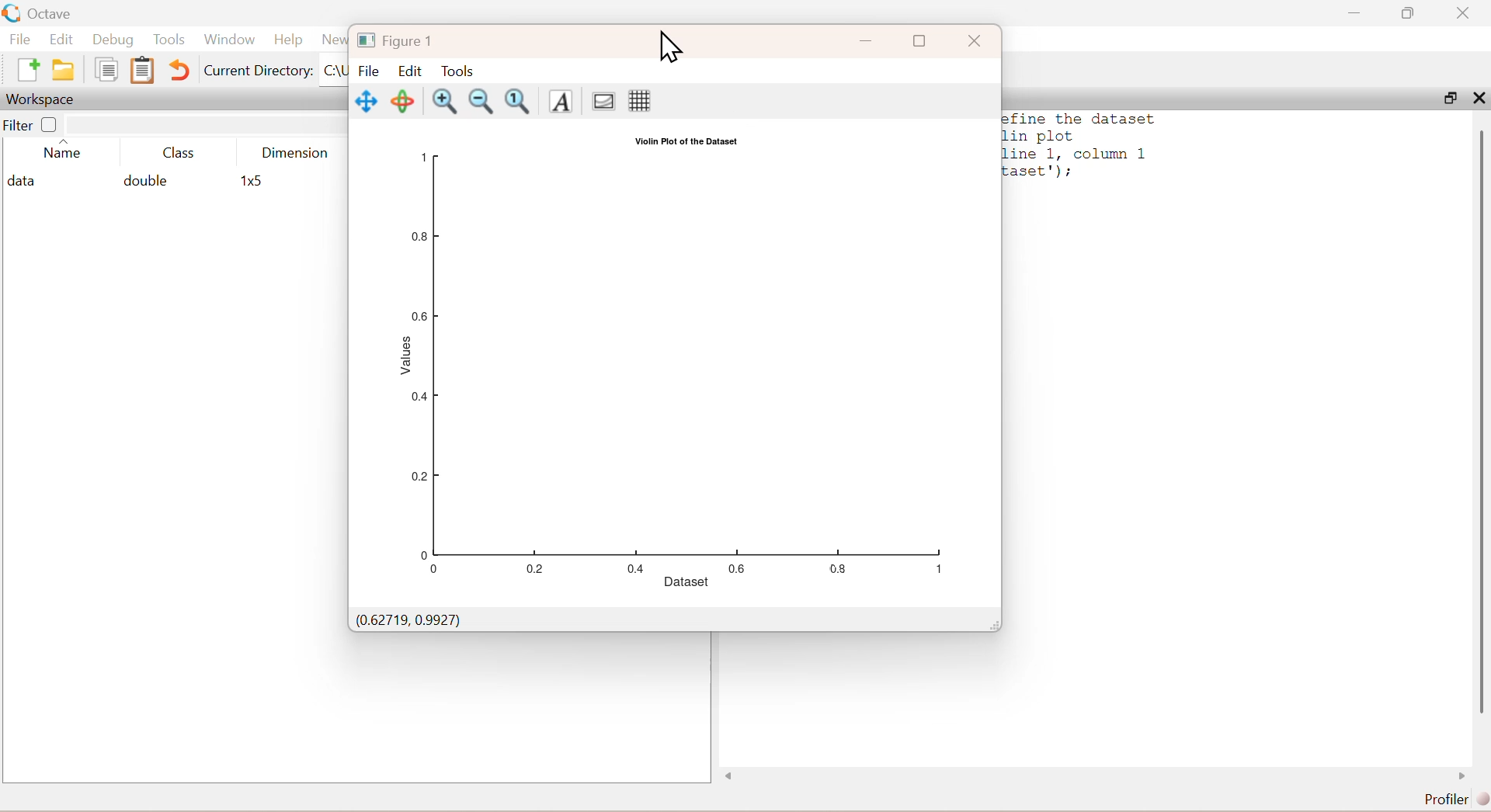 This screenshot has width=1491, height=812. Describe the element at coordinates (179, 70) in the screenshot. I see `Undo ` at that location.